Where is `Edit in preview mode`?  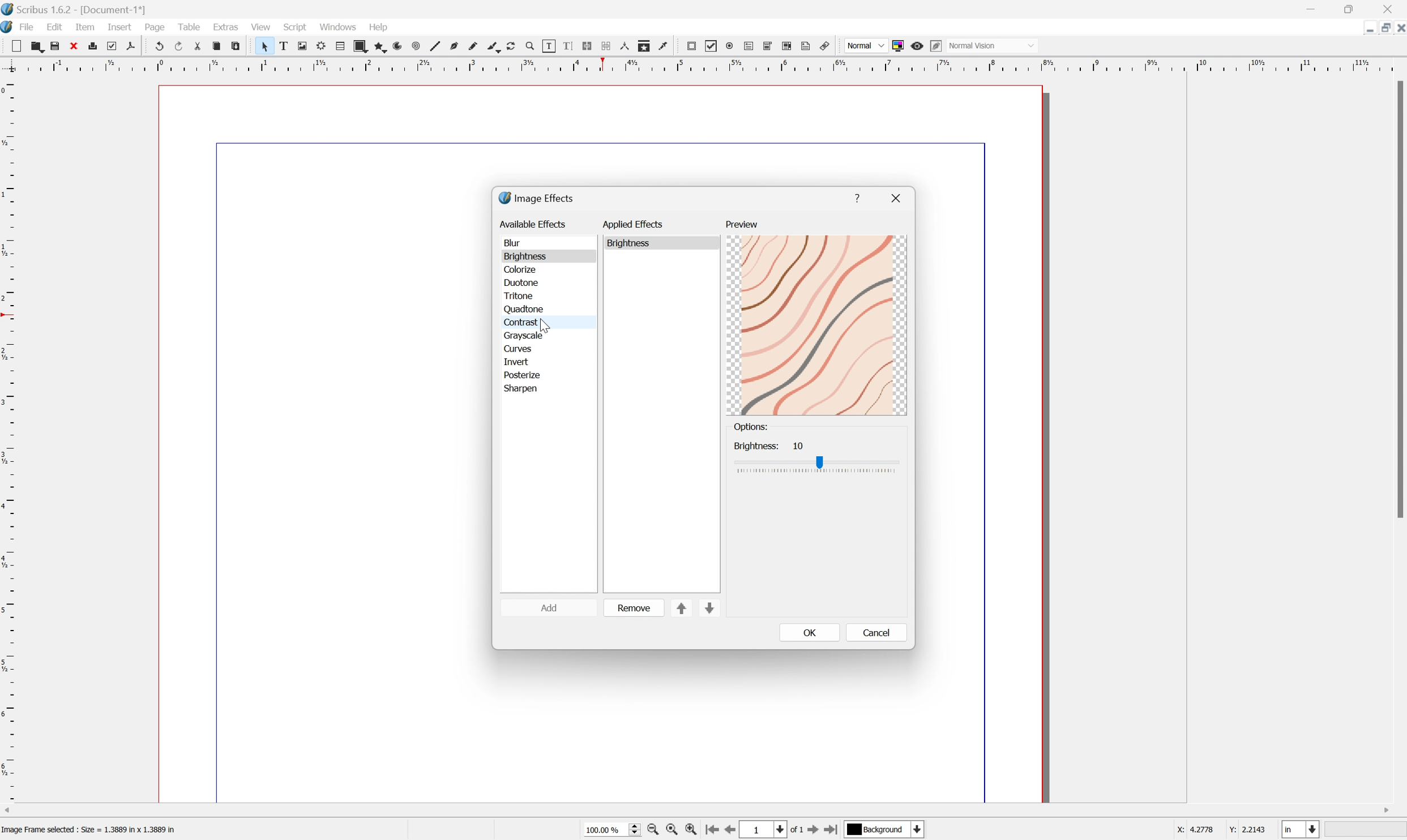
Edit in preview mode is located at coordinates (936, 46).